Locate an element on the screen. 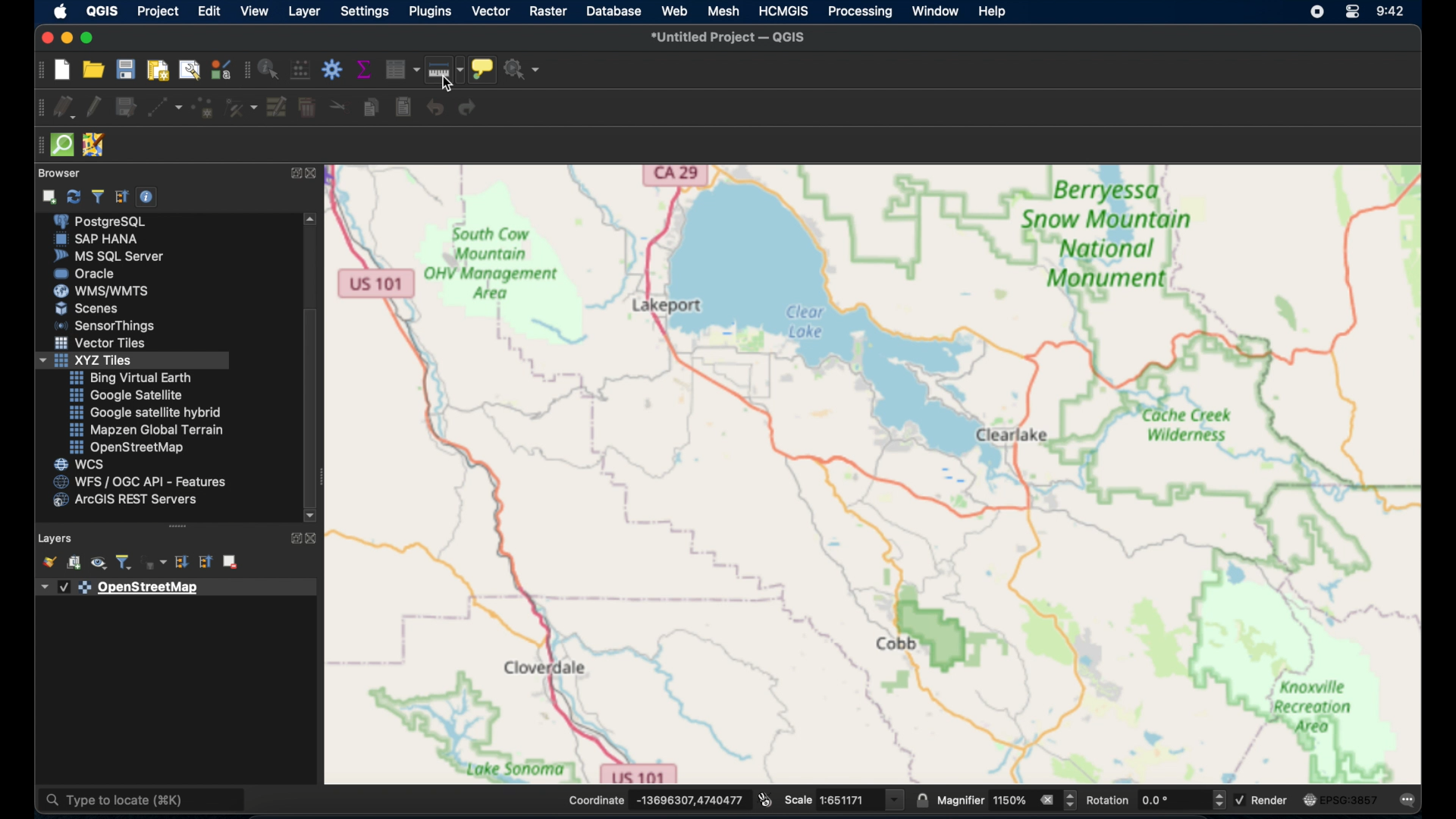  openstreetmap is located at coordinates (874, 473).